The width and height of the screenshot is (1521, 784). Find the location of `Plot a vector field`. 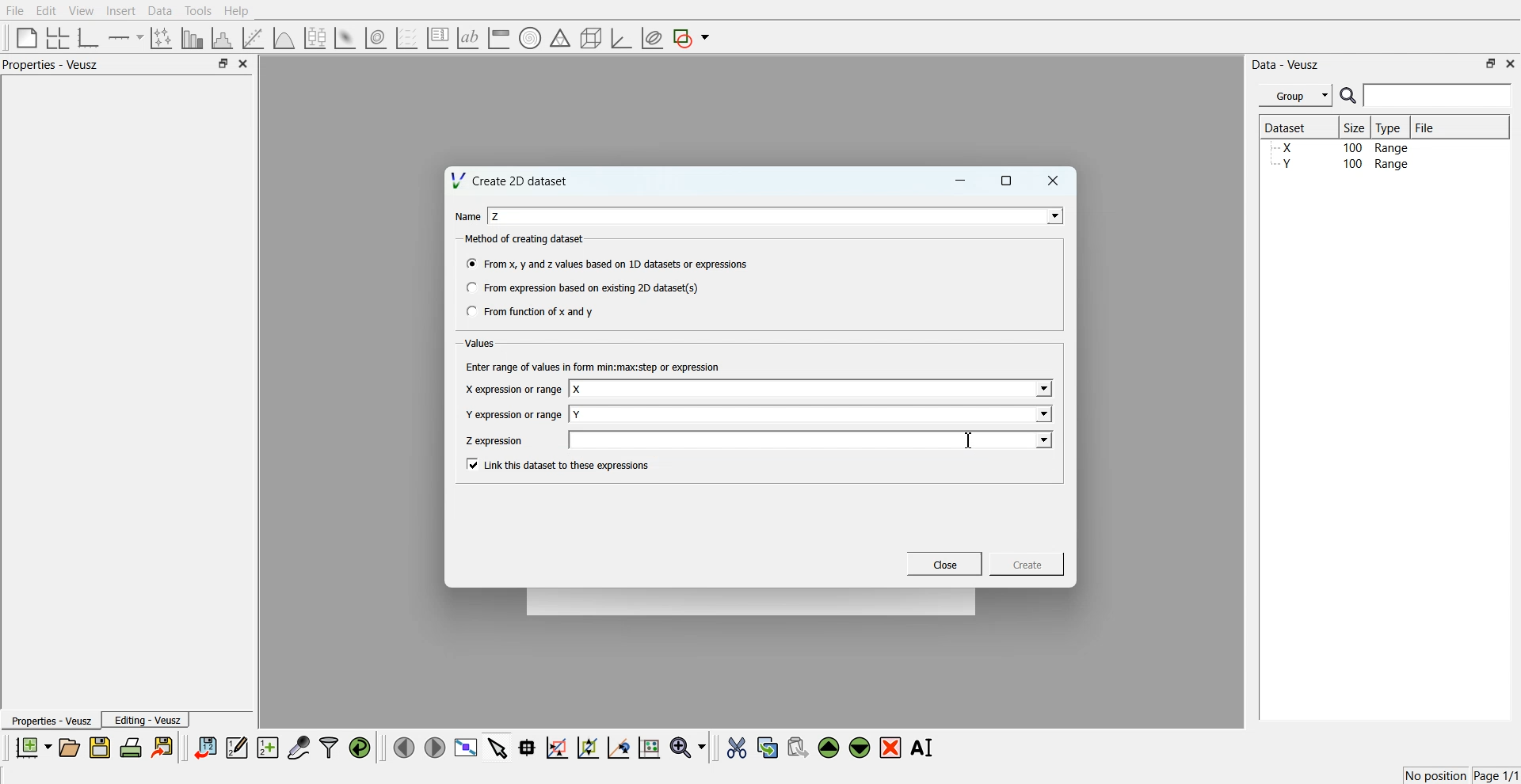

Plot a vector field is located at coordinates (406, 39).